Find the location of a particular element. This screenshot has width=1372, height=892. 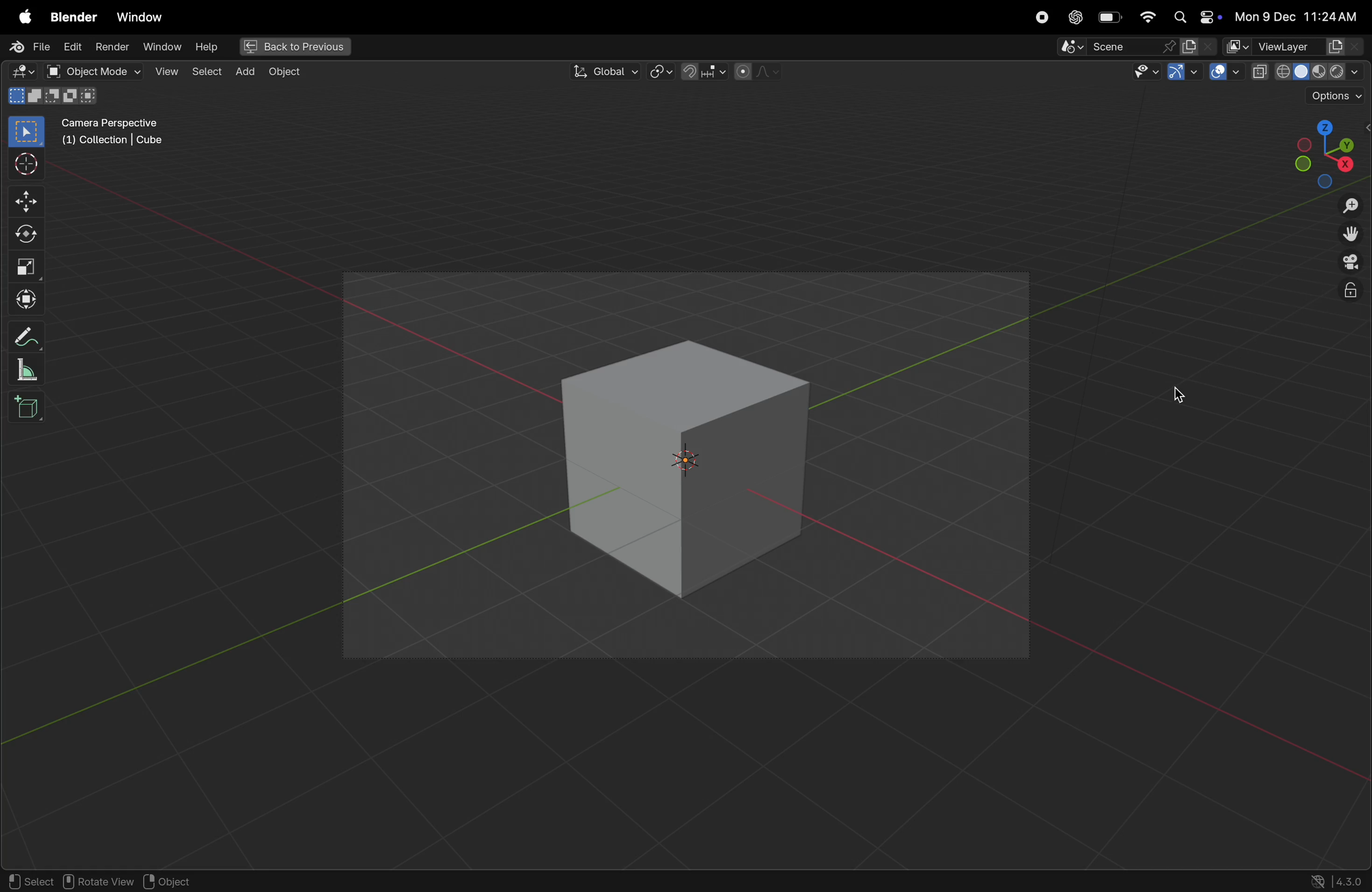

cube is located at coordinates (693, 471).